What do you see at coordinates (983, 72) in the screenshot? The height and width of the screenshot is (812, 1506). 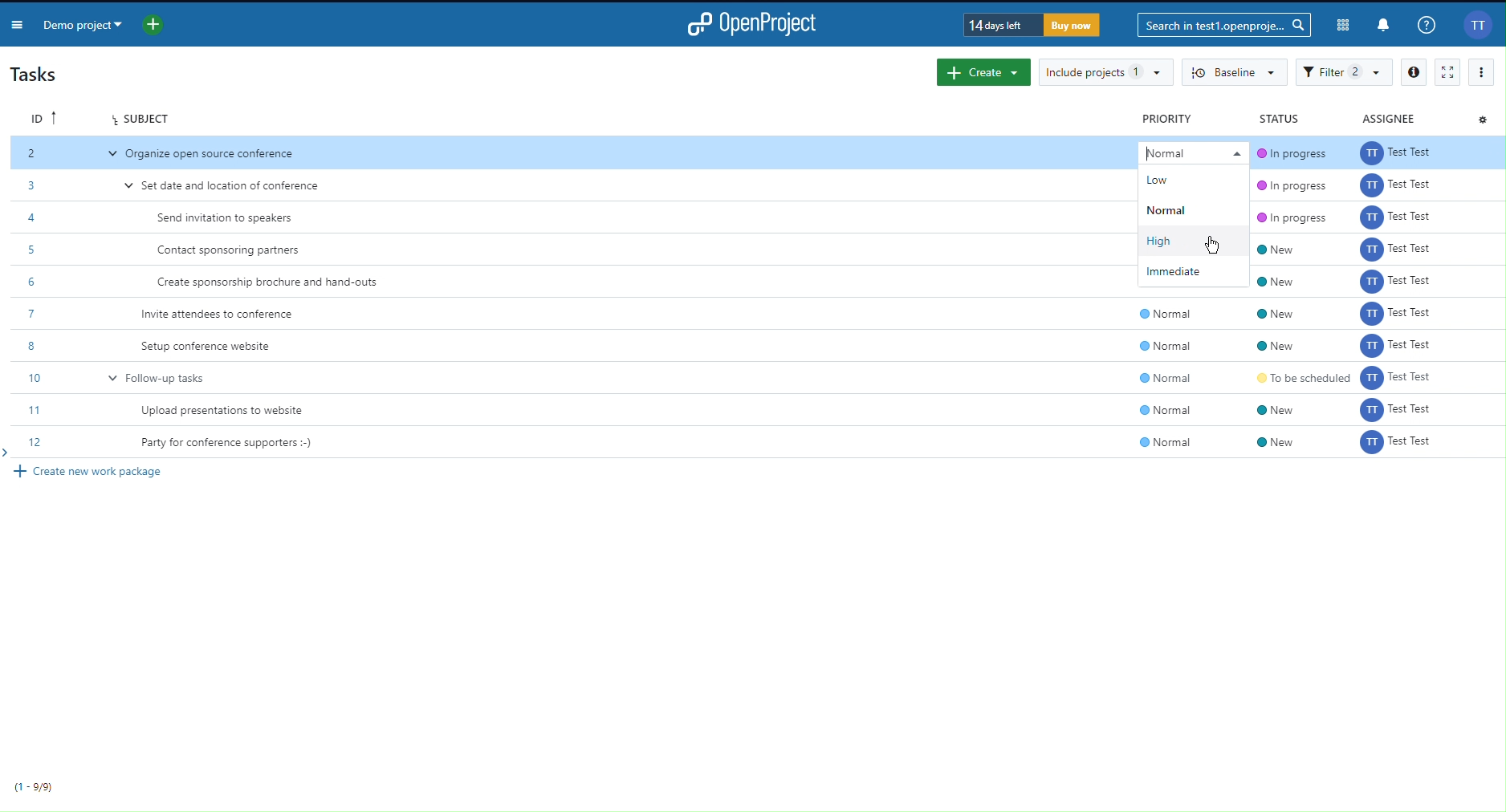 I see `Create` at bounding box center [983, 72].